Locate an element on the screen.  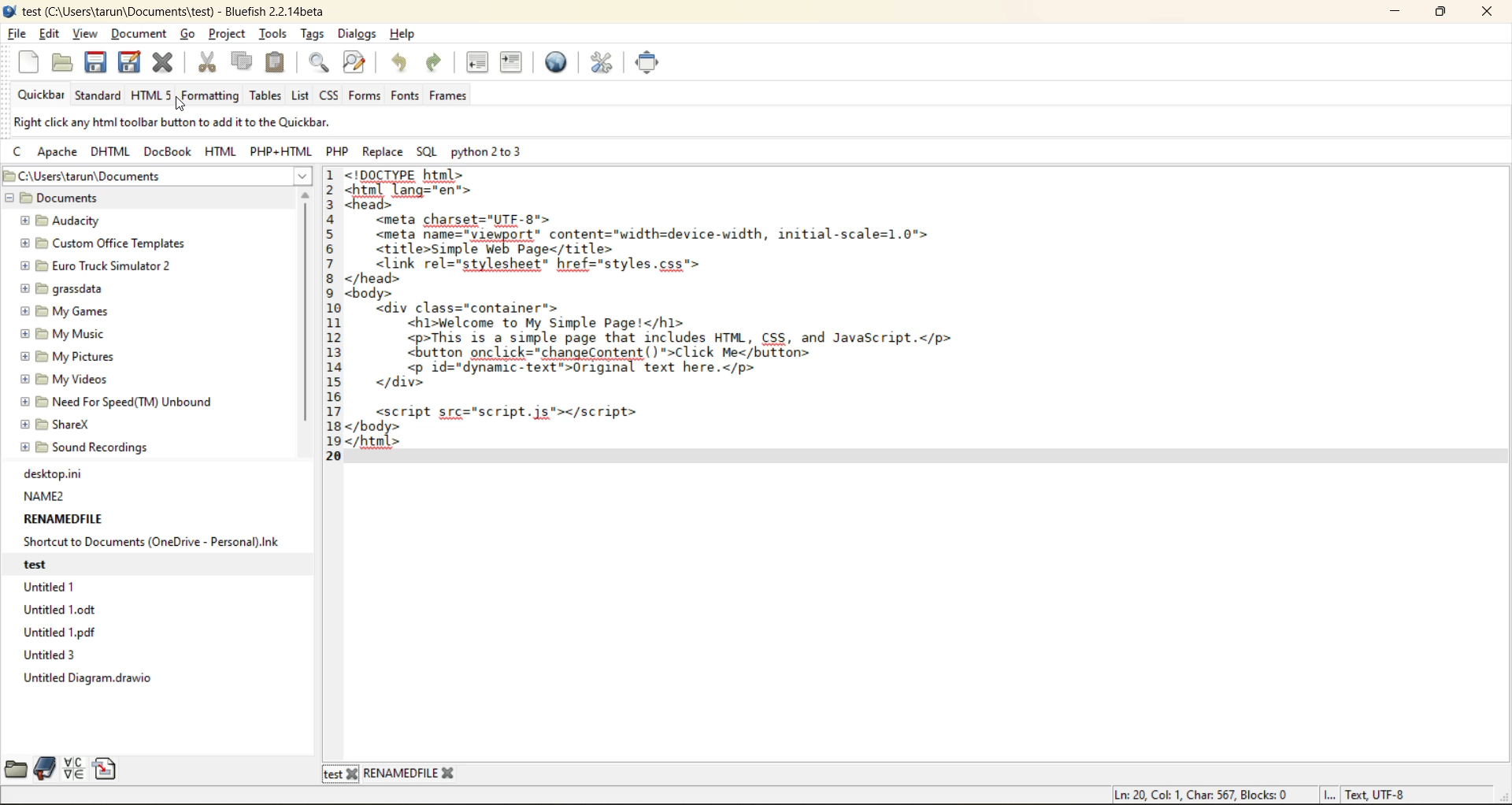
frames is located at coordinates (458, 98).